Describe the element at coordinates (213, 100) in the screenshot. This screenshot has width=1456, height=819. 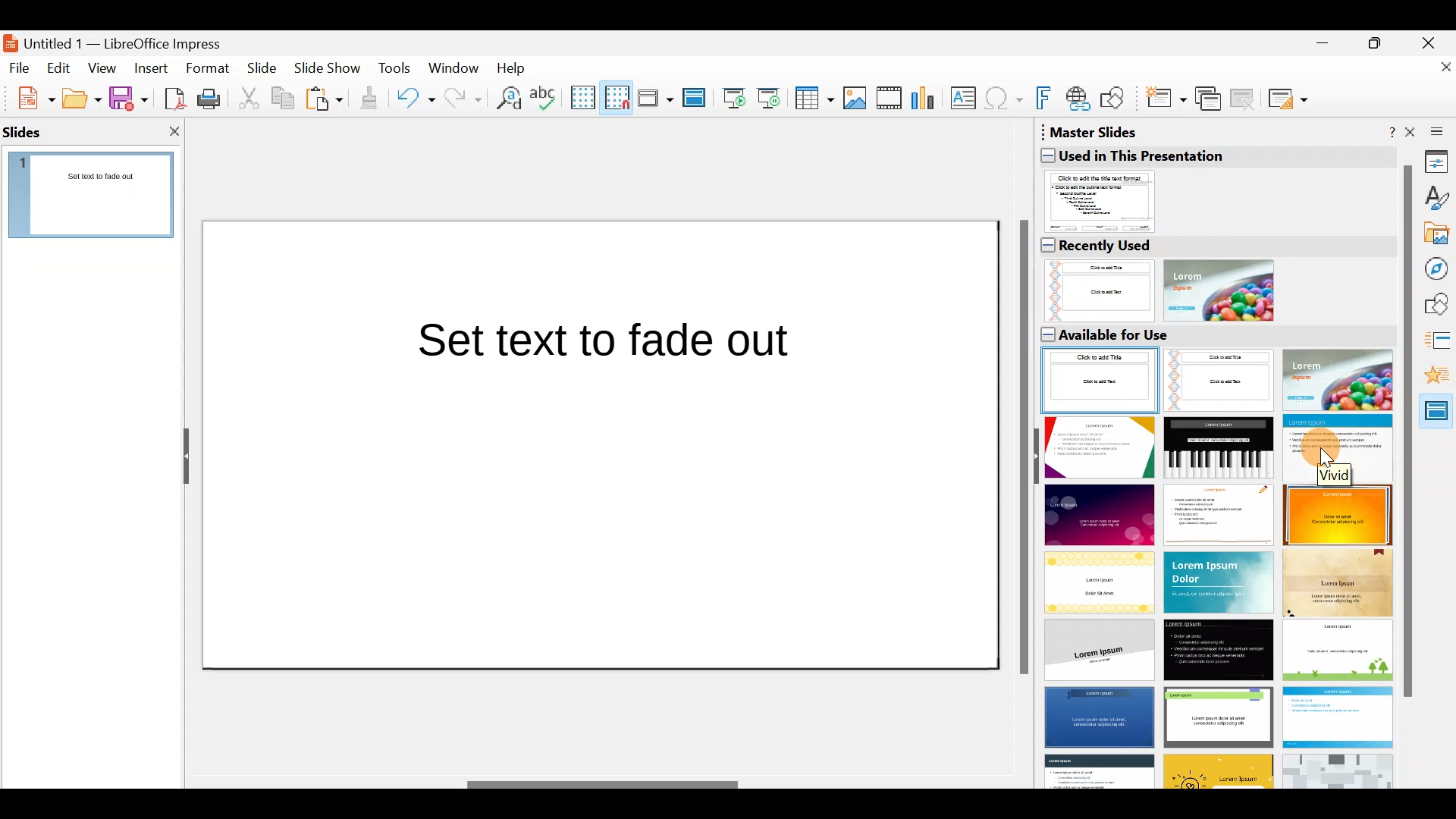
I see `Print` at that location.